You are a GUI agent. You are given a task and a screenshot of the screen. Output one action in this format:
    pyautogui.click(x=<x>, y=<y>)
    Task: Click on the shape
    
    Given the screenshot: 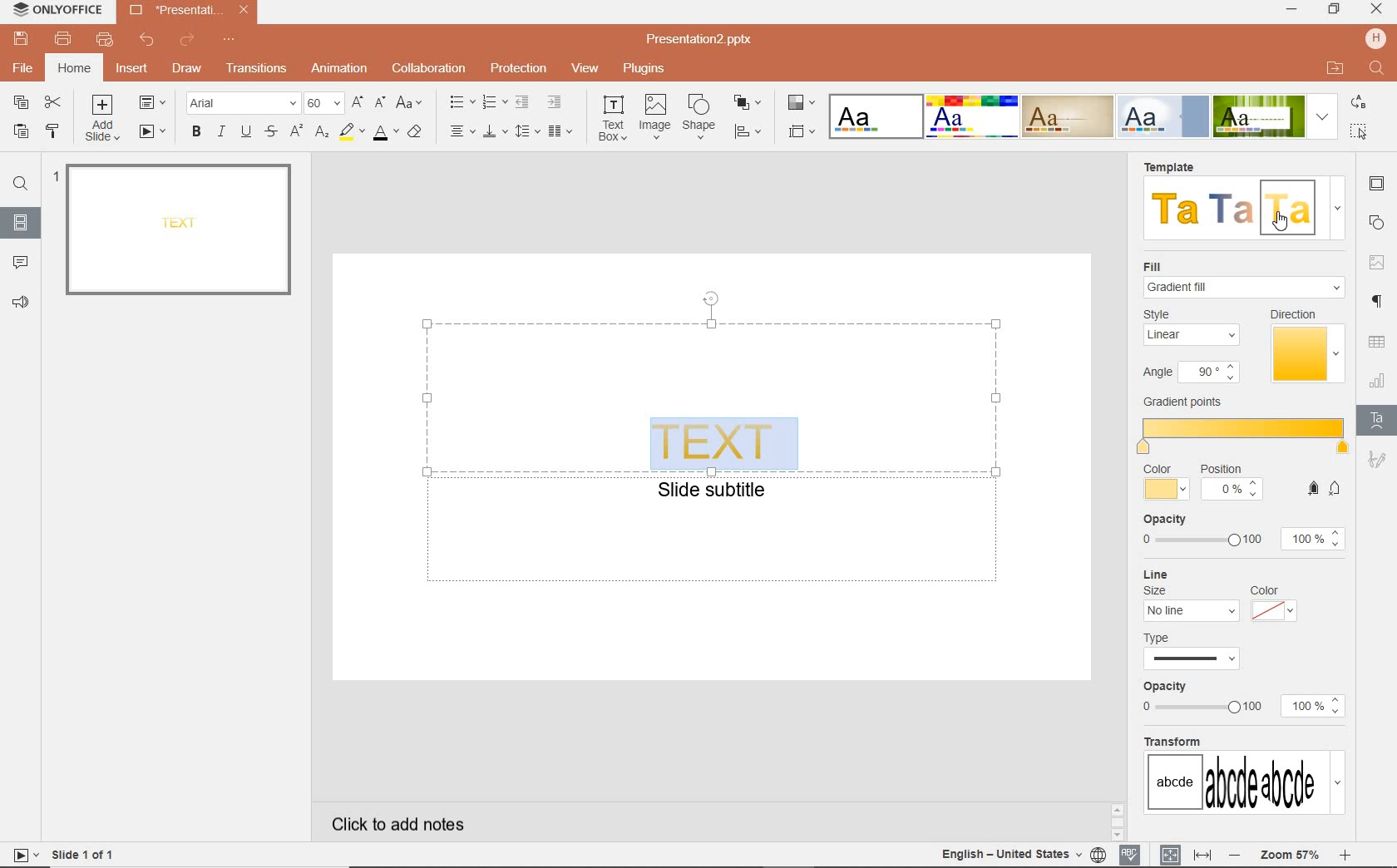 What is the action you would take?
    pyautogui.click(x=701, y=117)
    